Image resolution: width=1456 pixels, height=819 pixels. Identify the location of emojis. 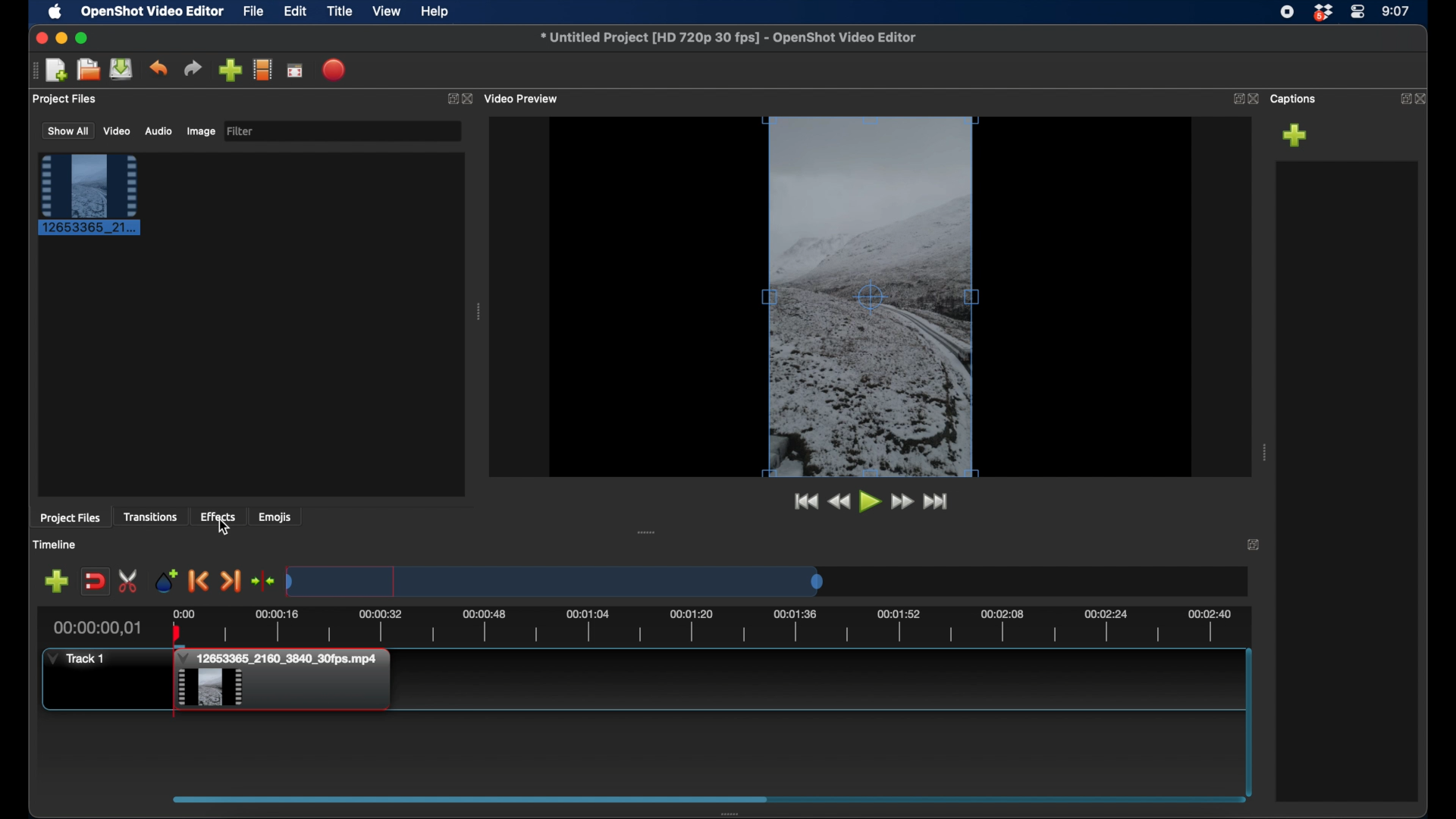
(276, 518).